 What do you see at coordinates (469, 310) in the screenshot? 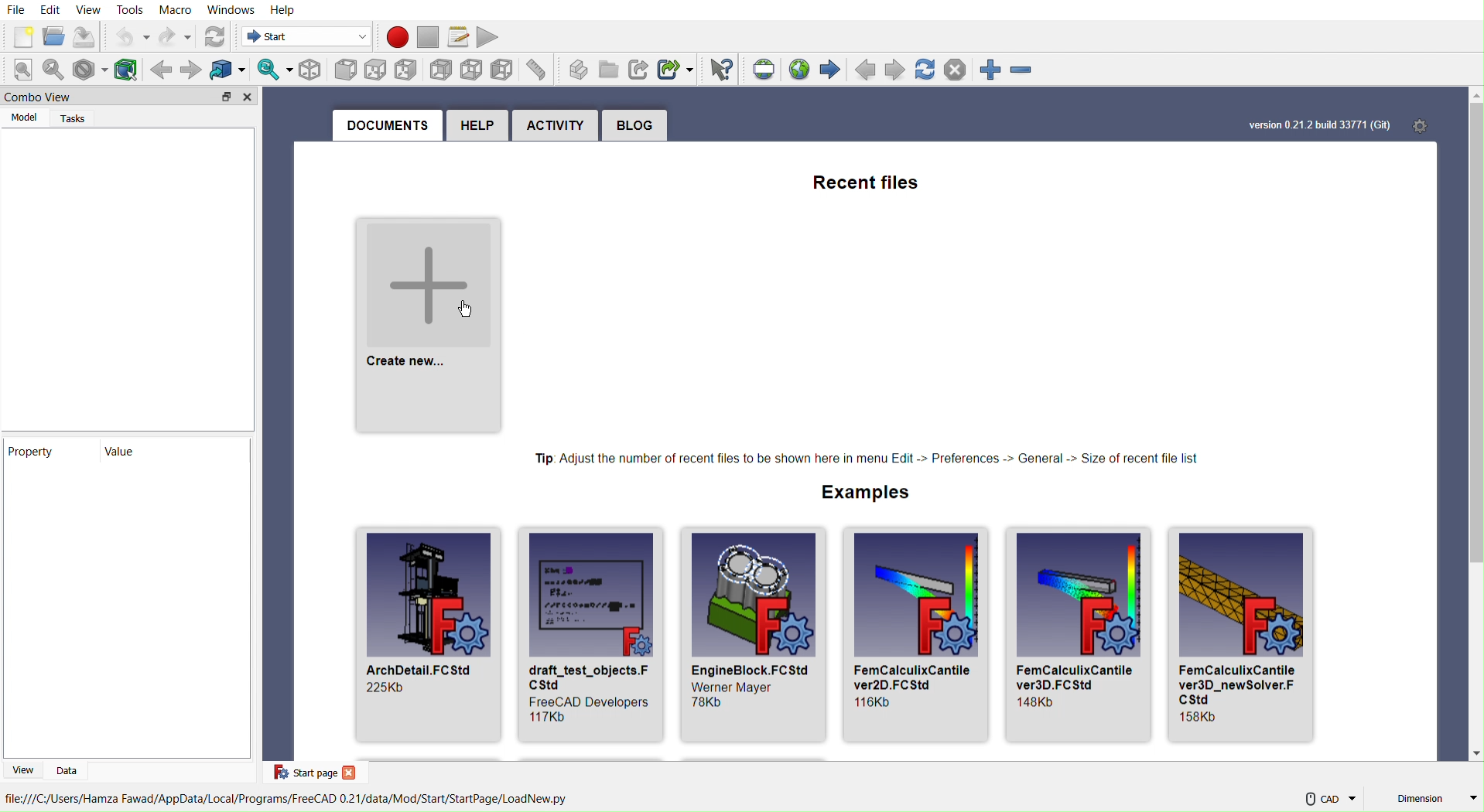
I see `cursor` at bounding box center [469, 310].